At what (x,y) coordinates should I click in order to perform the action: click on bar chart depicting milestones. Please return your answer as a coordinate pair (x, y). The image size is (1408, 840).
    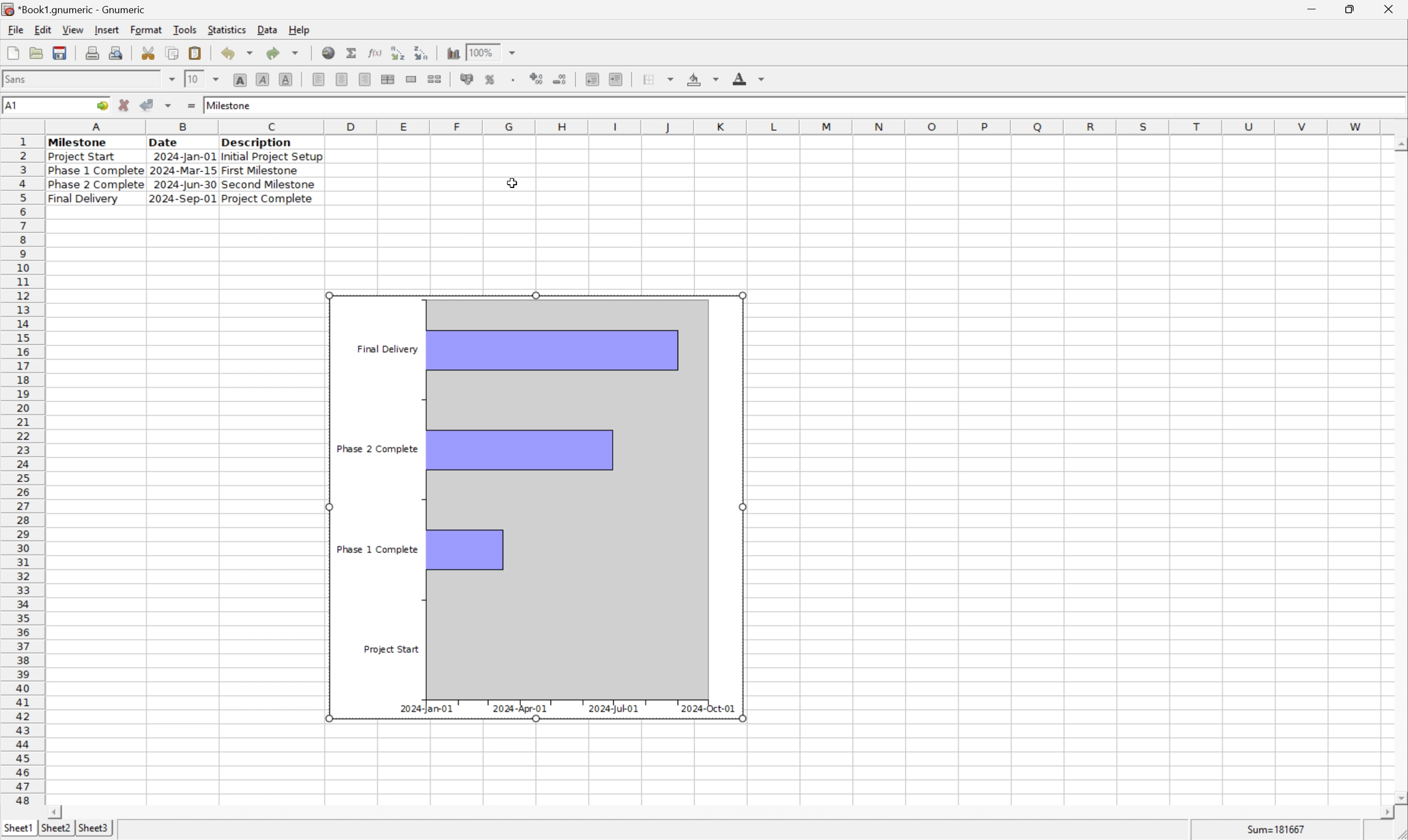
    Looking at the image, I should click on (536, 505).